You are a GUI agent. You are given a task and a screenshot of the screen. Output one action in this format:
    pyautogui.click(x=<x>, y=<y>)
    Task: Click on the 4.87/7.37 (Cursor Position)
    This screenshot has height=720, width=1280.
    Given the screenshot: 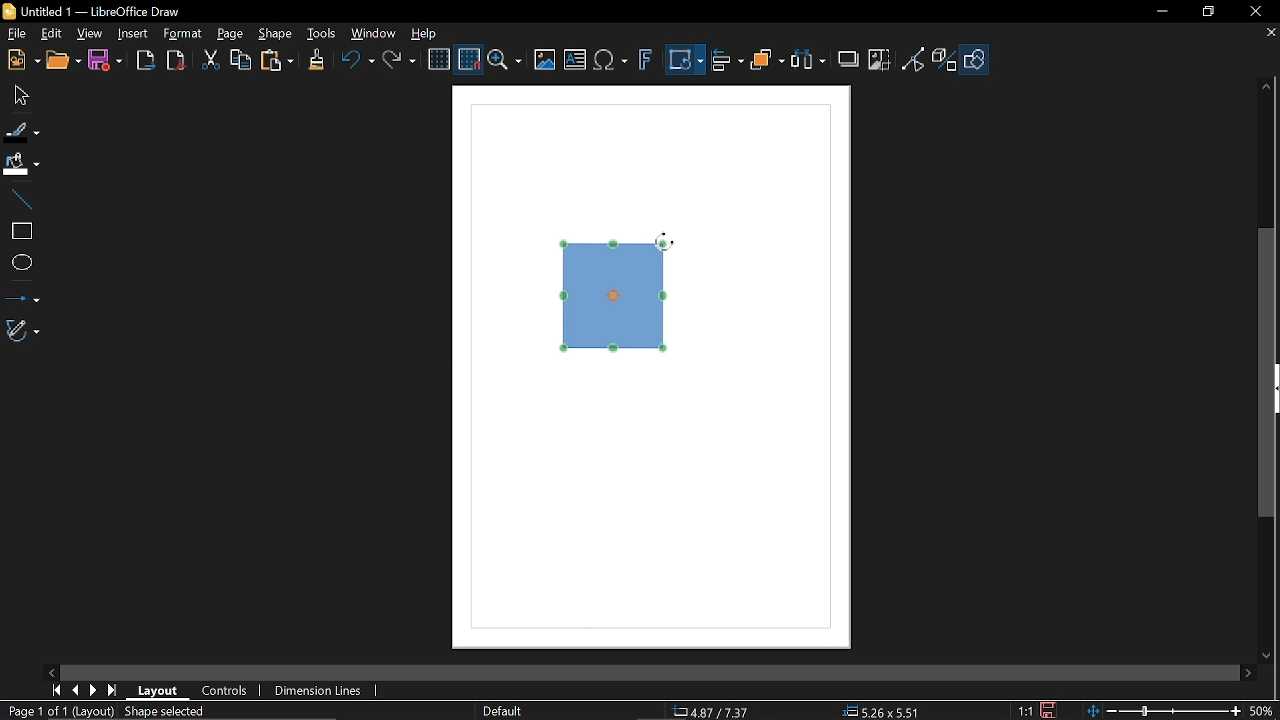 What is the action you would take?
    pyautogui.click(x=710, y=710)
    